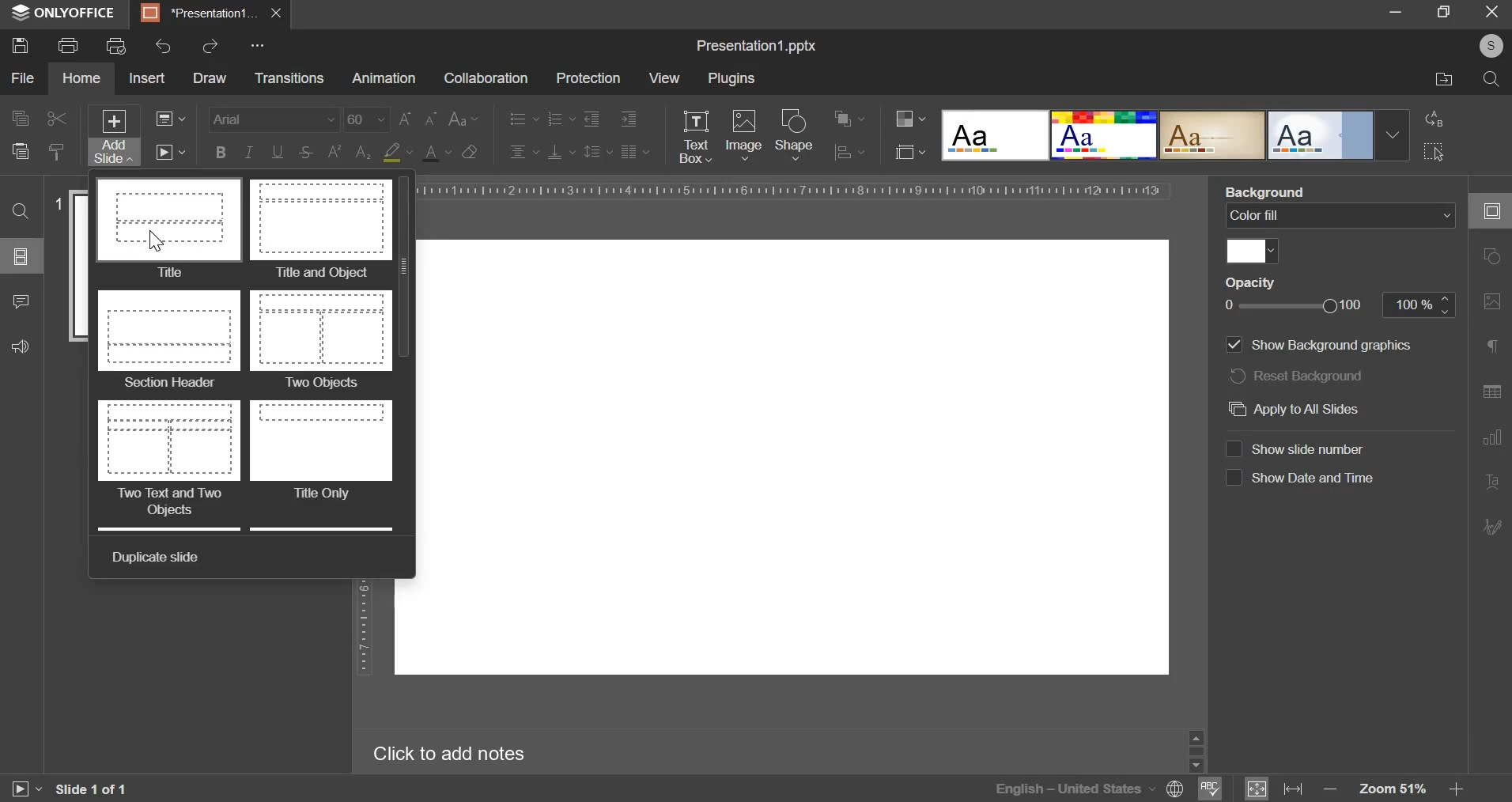 The height and width of the screenshot is (802, 1512). What do you see at coordinates (349, 151) in the screenshot?
I see `subscript & superscript` at bounding box center [349, 151].